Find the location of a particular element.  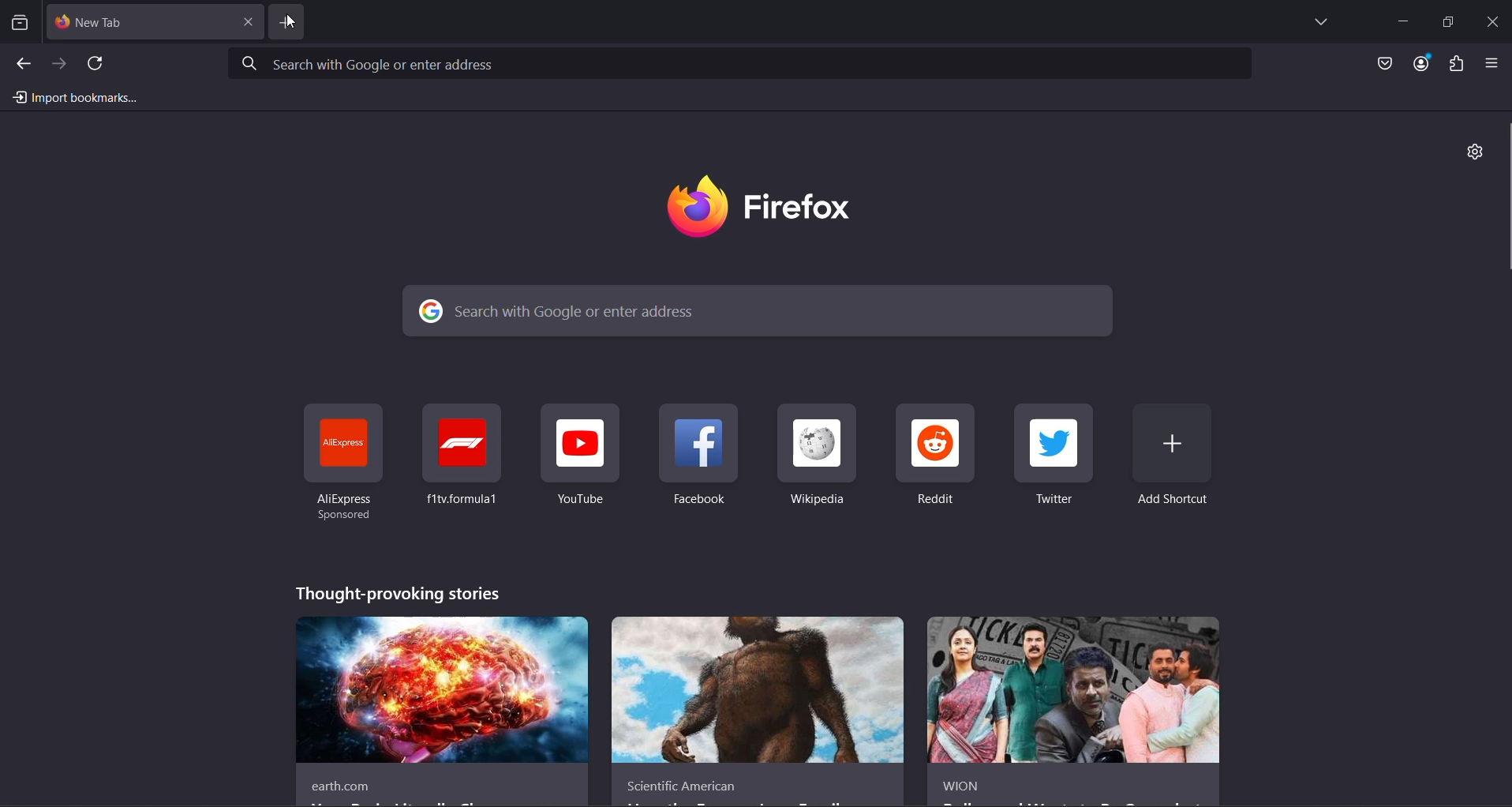

open a new tab is located at coordinates (286, 21).